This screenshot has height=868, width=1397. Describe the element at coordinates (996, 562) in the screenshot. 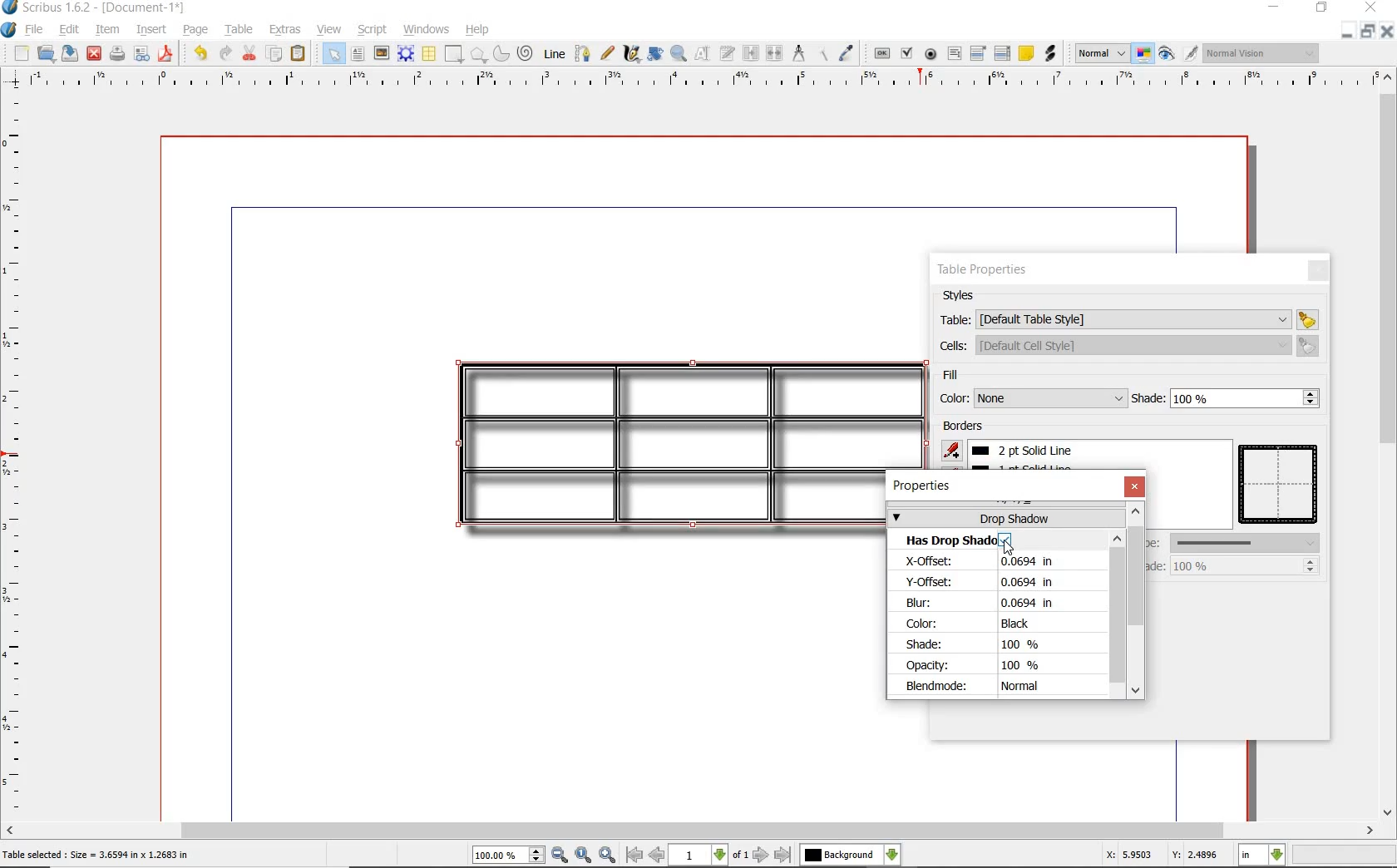

I see `X-Offset: 0.0694 in` at that location.